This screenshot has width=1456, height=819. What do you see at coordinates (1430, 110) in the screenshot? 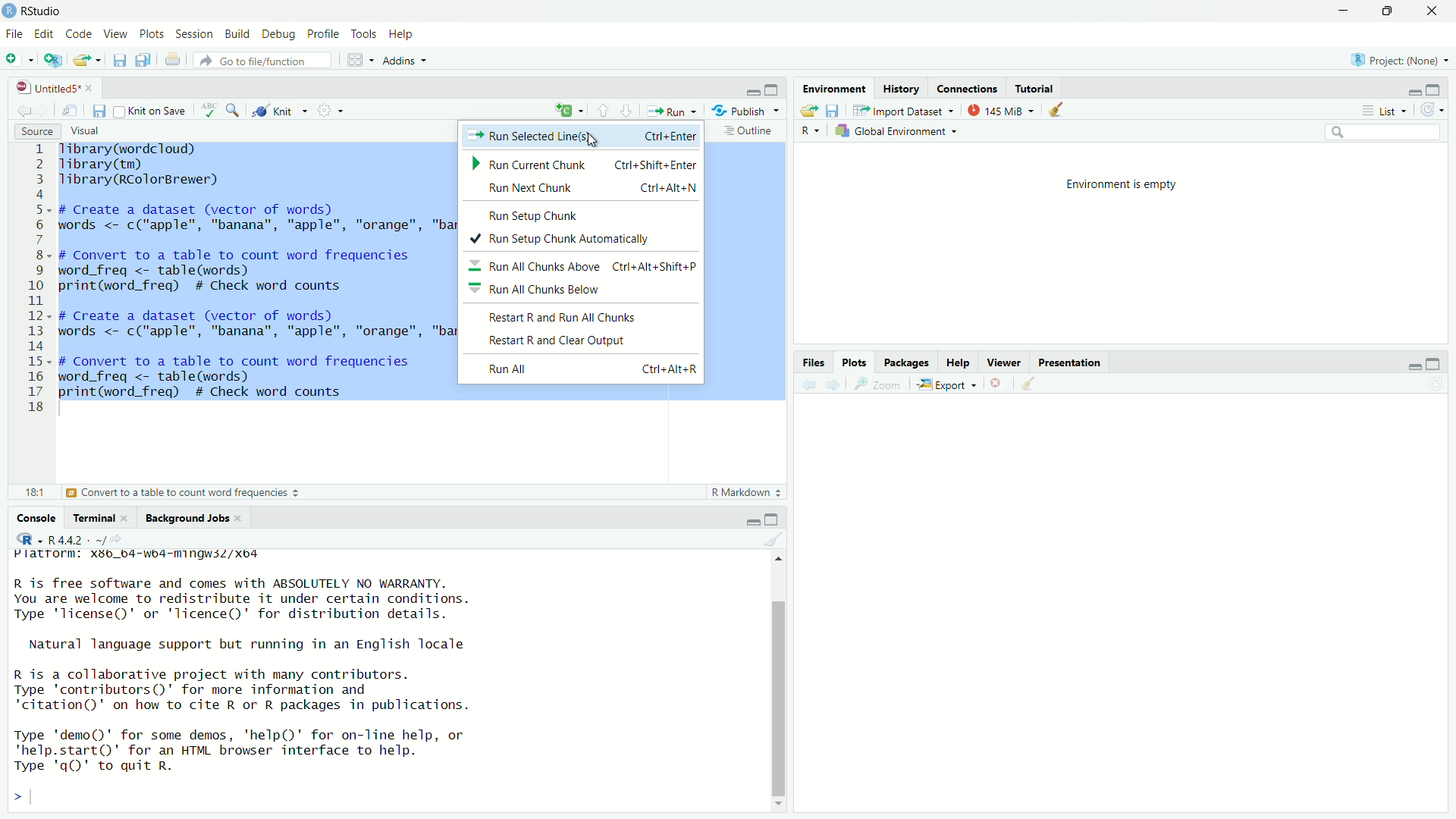
I see `Revert changes` at bounding box center [1430, 110].